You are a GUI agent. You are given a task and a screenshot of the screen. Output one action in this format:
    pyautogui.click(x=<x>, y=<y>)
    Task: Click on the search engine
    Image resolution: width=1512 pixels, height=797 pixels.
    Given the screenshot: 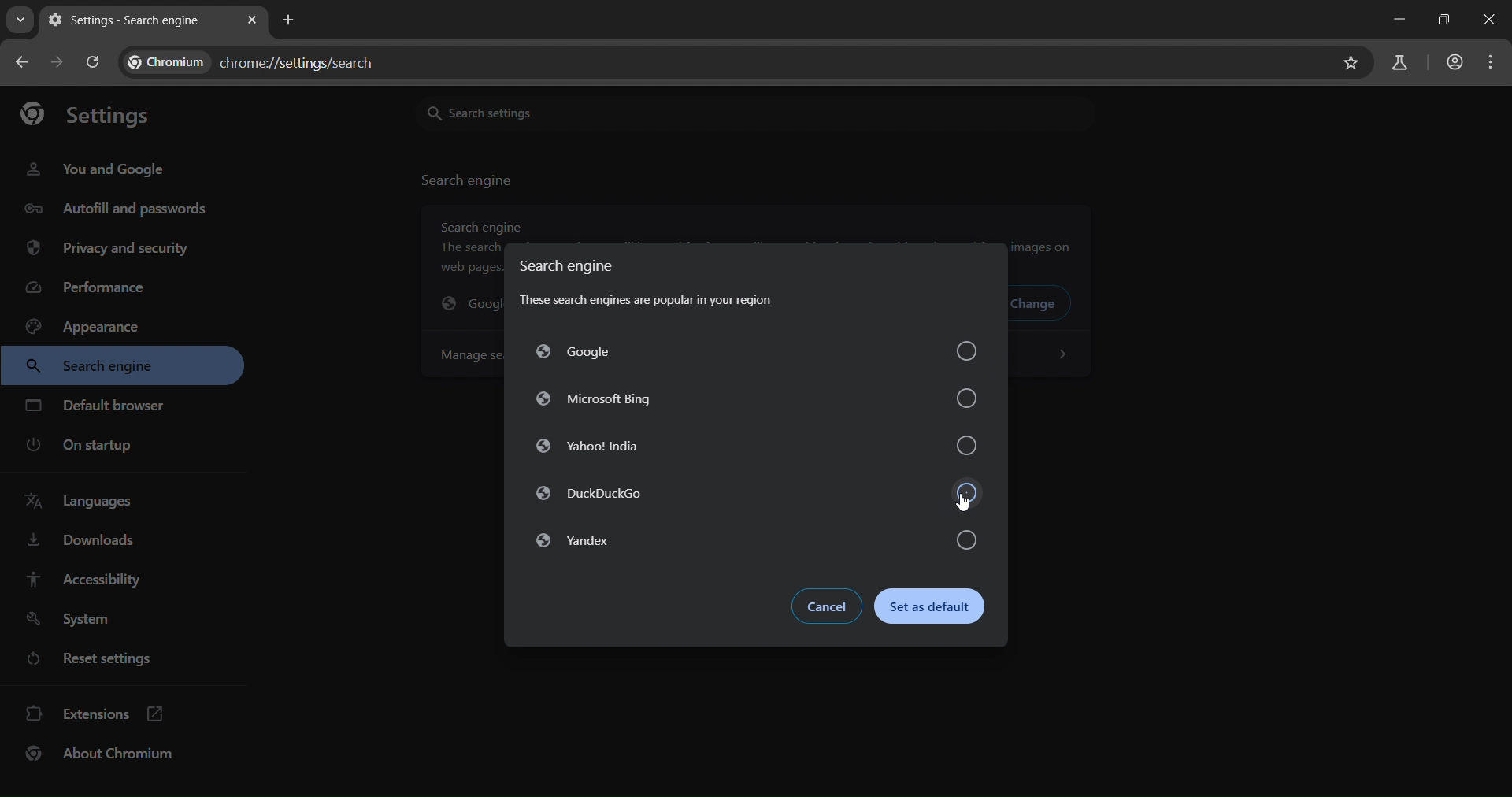 What is the action you would take?
    pyautogui.click(x=469, y=180)
    